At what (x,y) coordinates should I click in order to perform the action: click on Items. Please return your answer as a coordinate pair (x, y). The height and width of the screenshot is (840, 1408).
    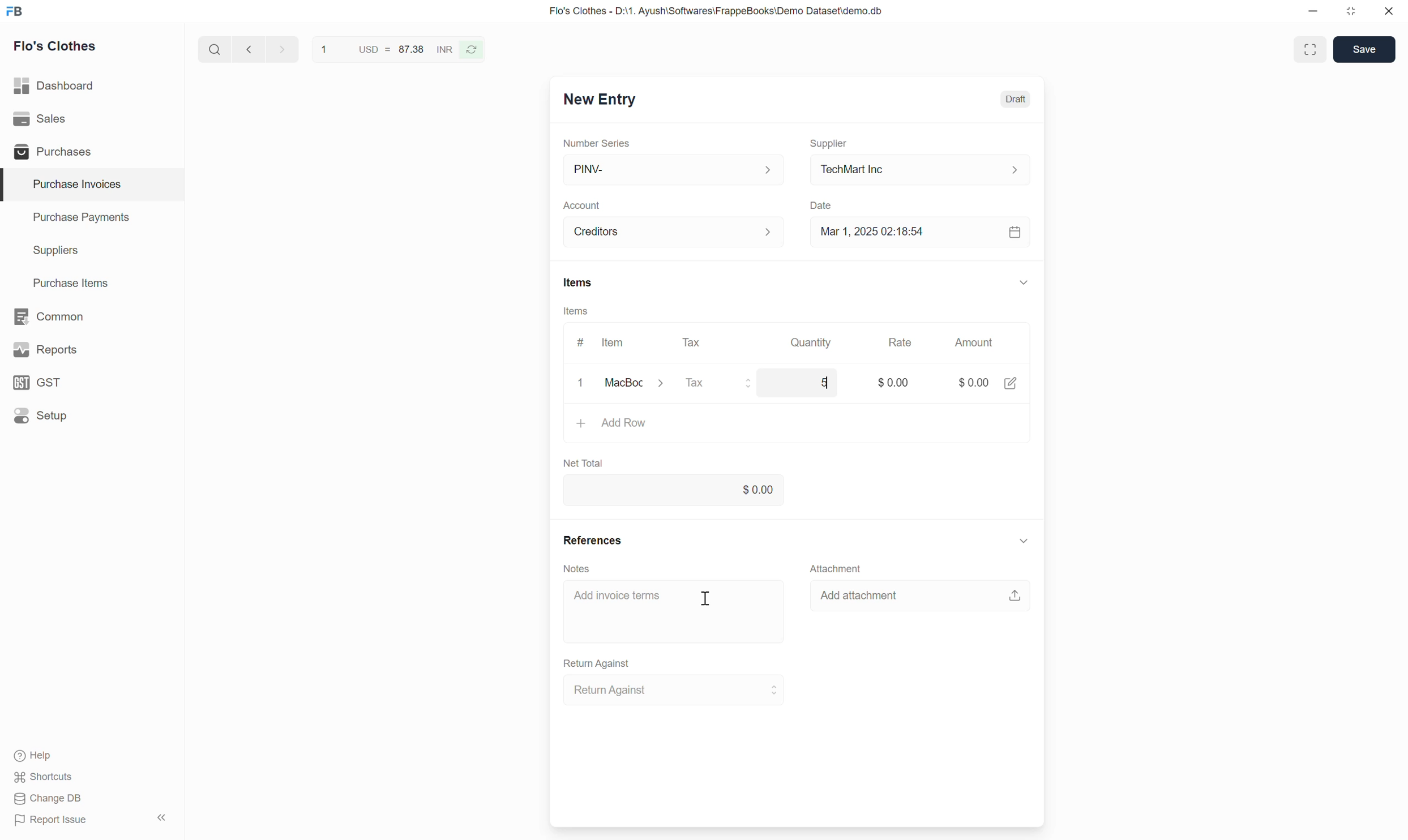
    Looking at the image, I should click on (579, 282).